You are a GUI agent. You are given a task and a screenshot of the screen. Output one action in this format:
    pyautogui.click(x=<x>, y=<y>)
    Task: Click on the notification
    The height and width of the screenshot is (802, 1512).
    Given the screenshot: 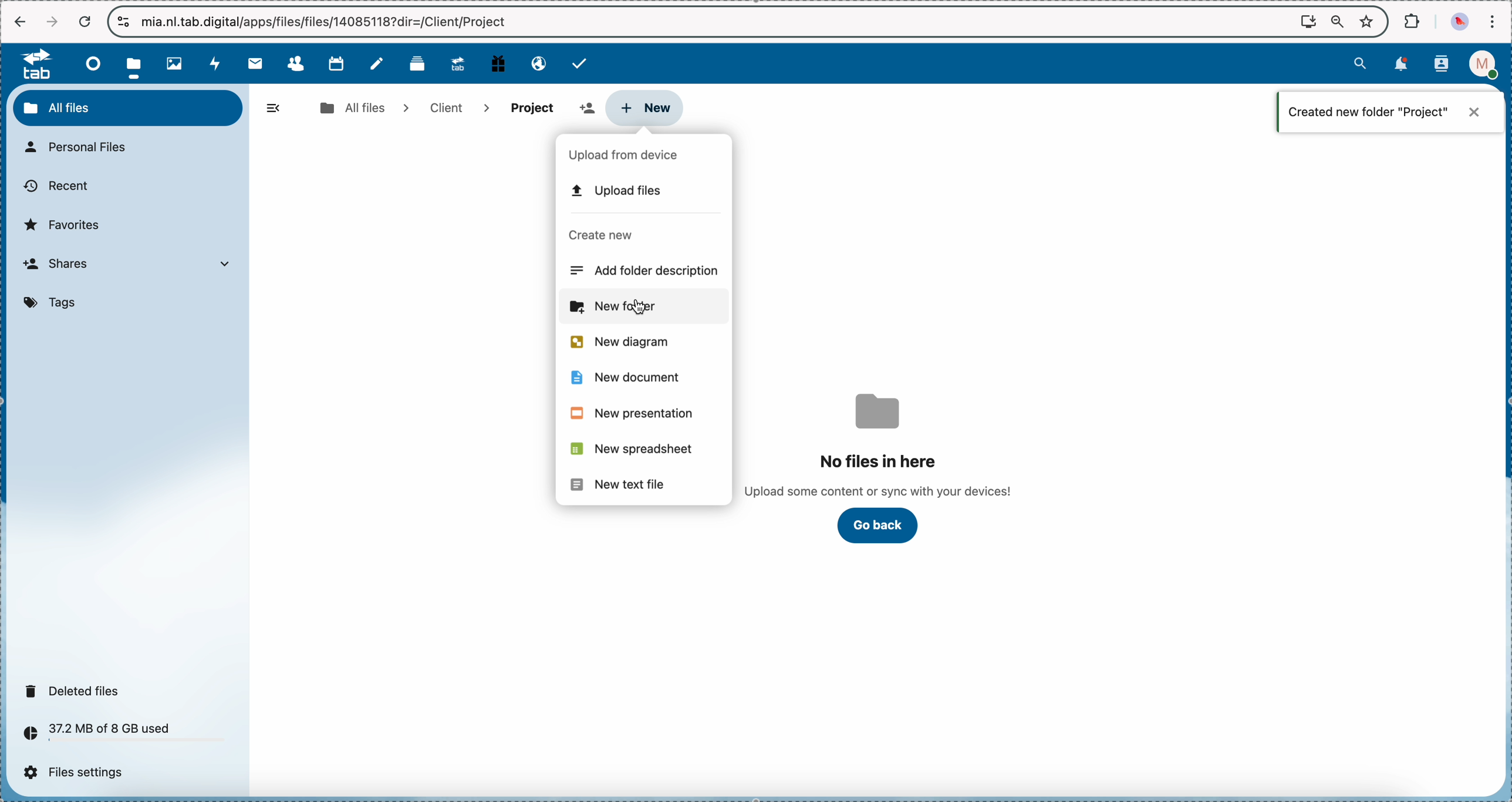 What is the action you would take?
    pyautogui.click(x=1389, y=112)
    